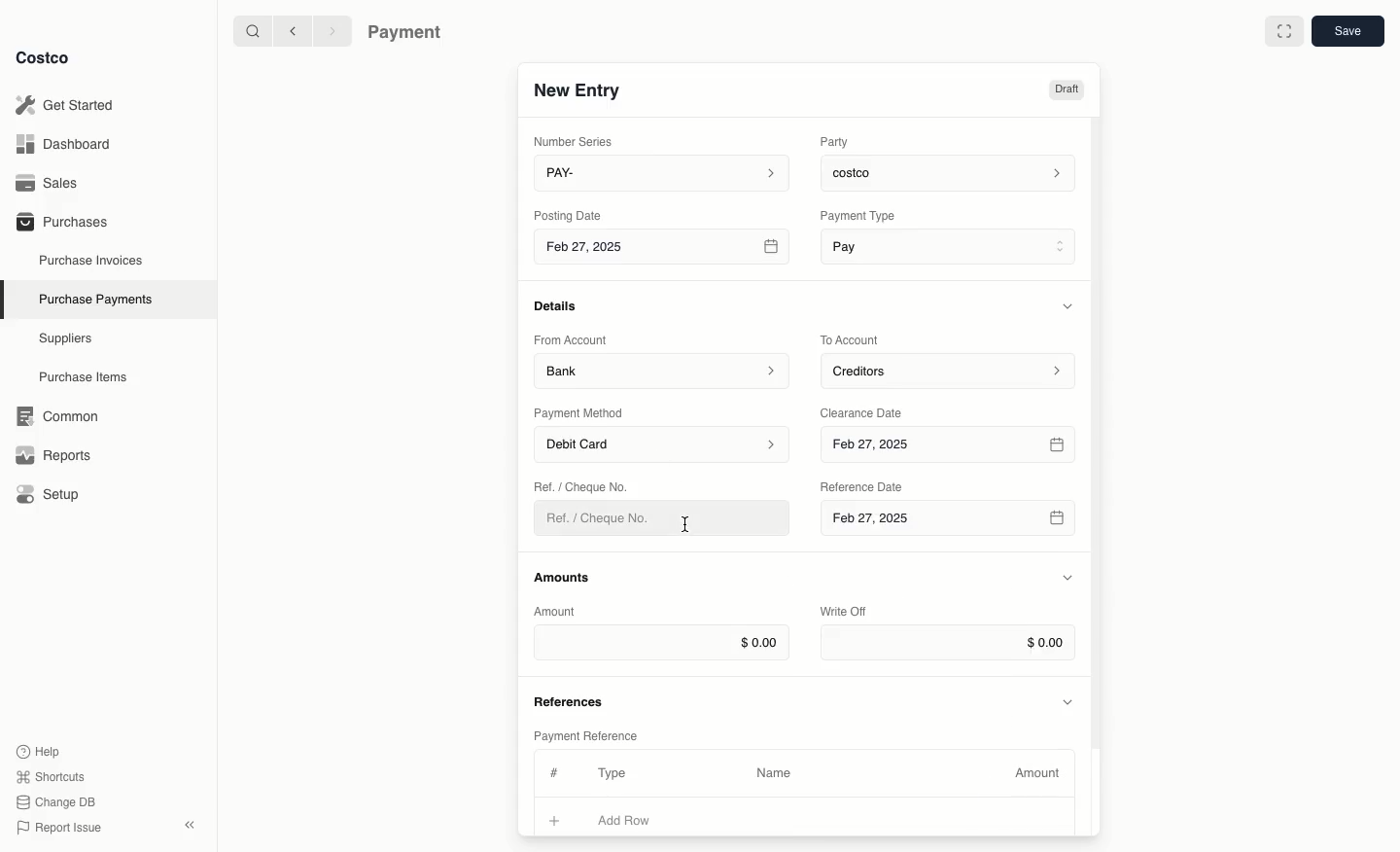 This screenshot has width=1400, height=852. I want to click on Write Off, so click(844, 613).